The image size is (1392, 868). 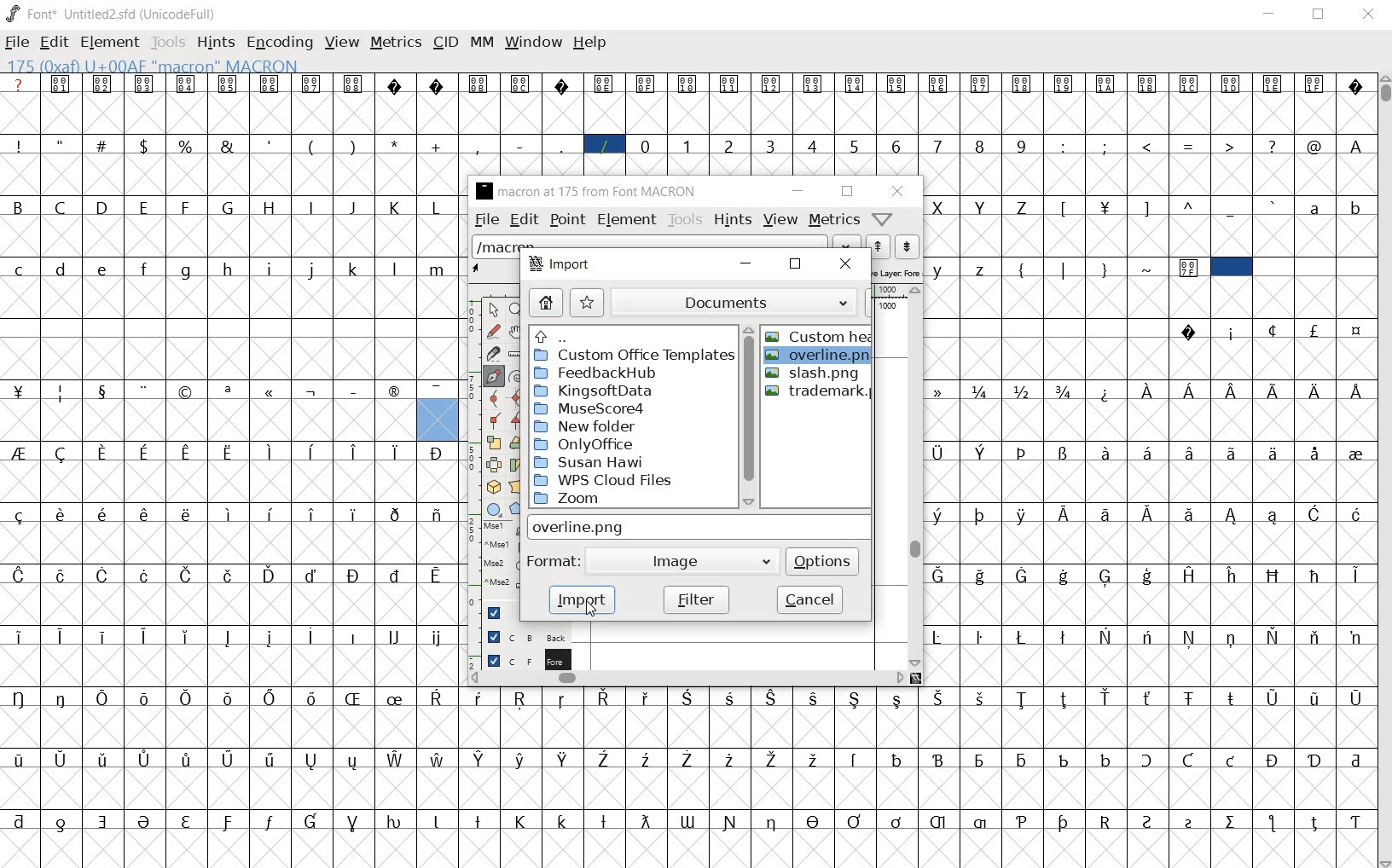 I want to click on HV curve, so click(x=514, y=398).